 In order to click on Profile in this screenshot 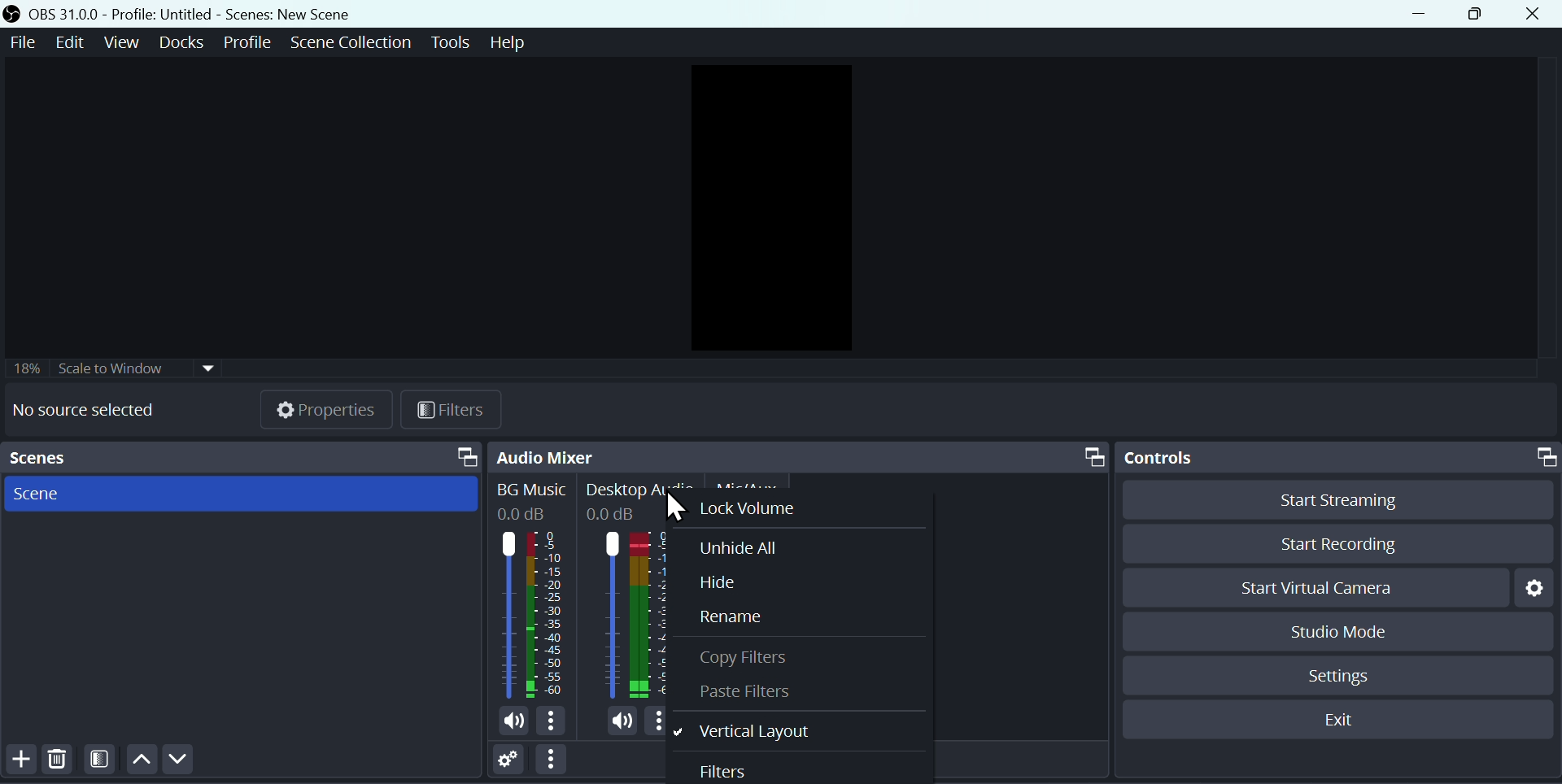, I will do `click(249, 43)`.